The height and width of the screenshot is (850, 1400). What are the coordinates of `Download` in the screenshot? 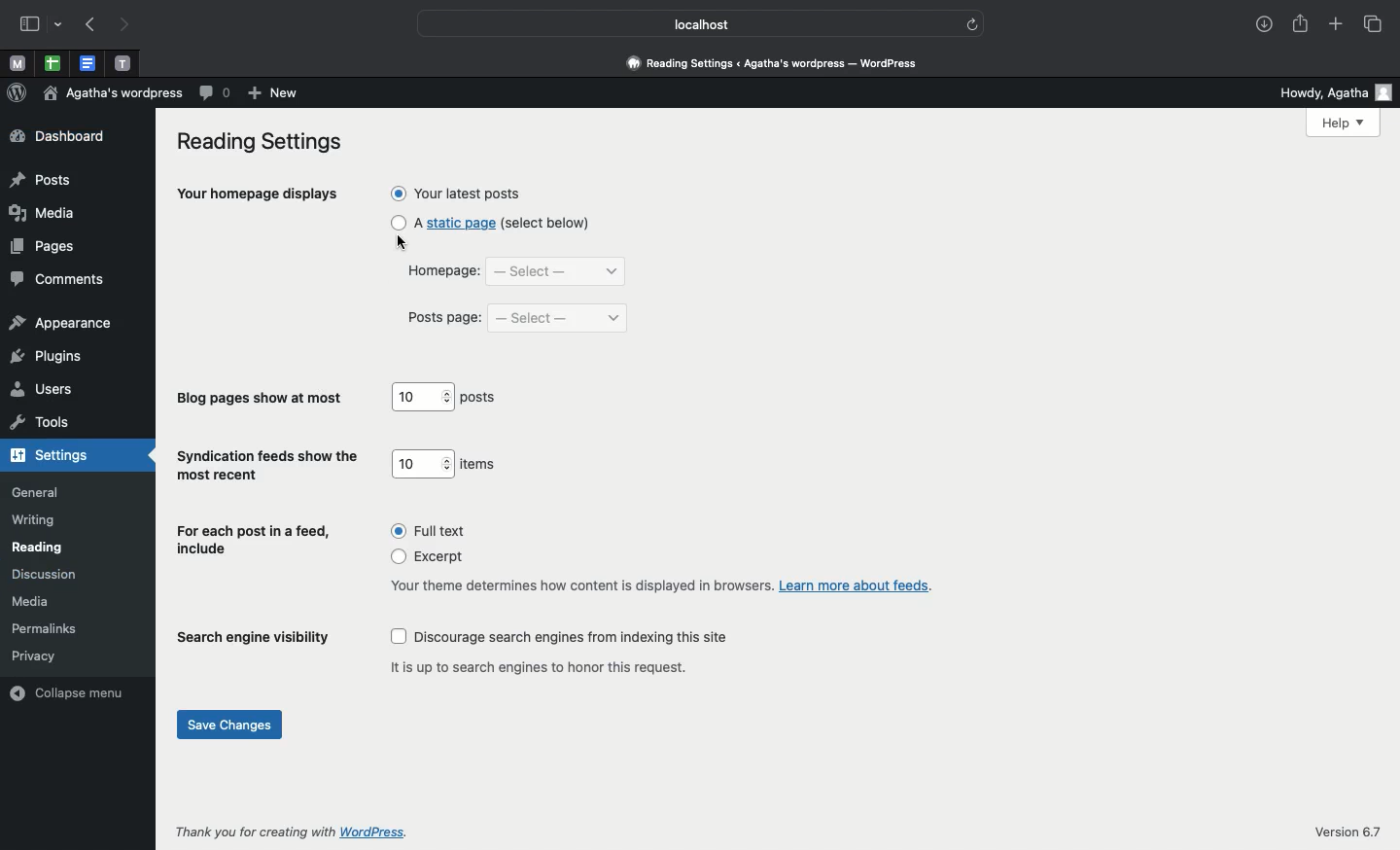 It's located at (1259, 21).